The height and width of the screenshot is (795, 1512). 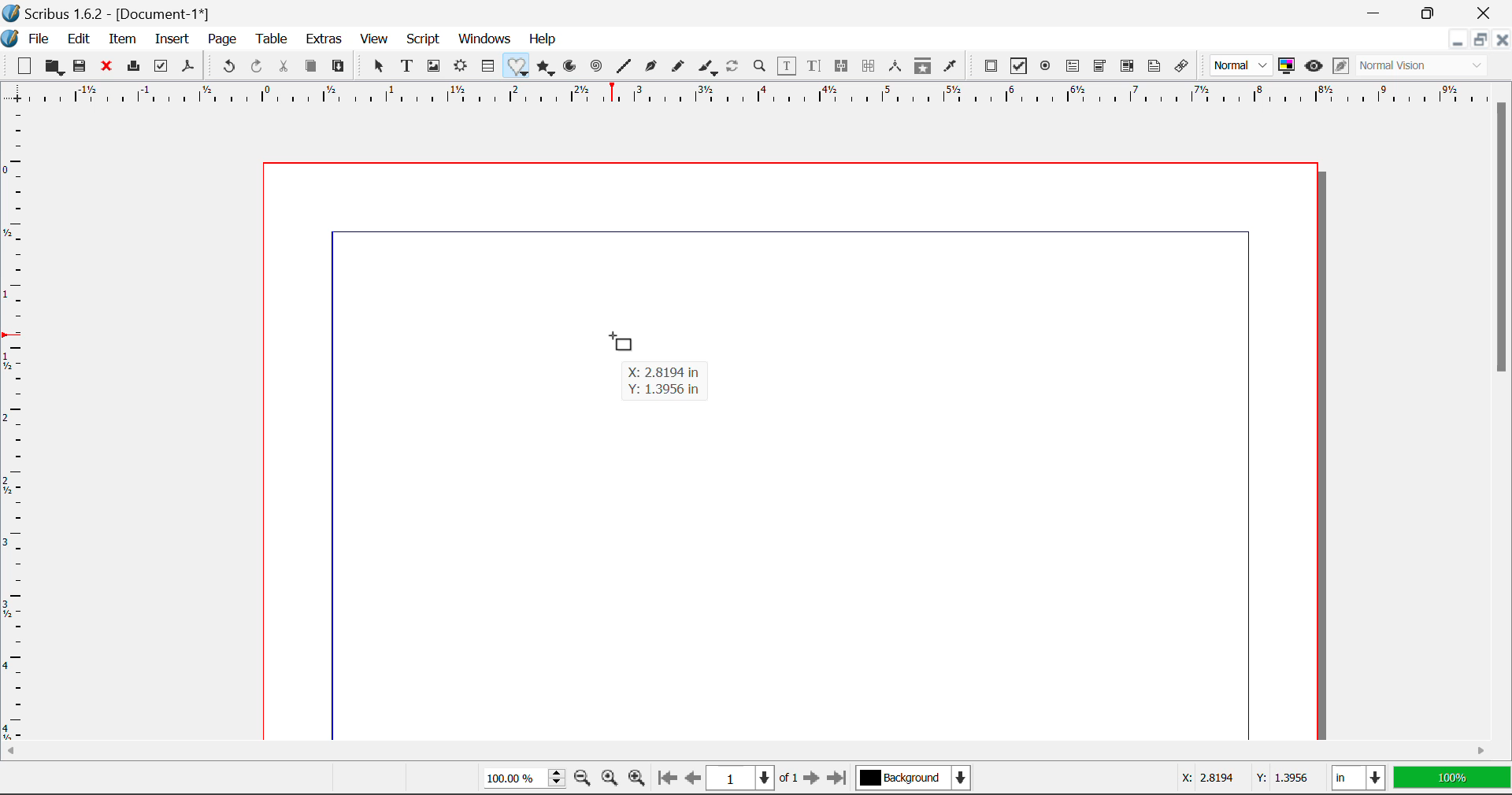 I want to click on Vertical Page Margins, so click(x=743, y=97).